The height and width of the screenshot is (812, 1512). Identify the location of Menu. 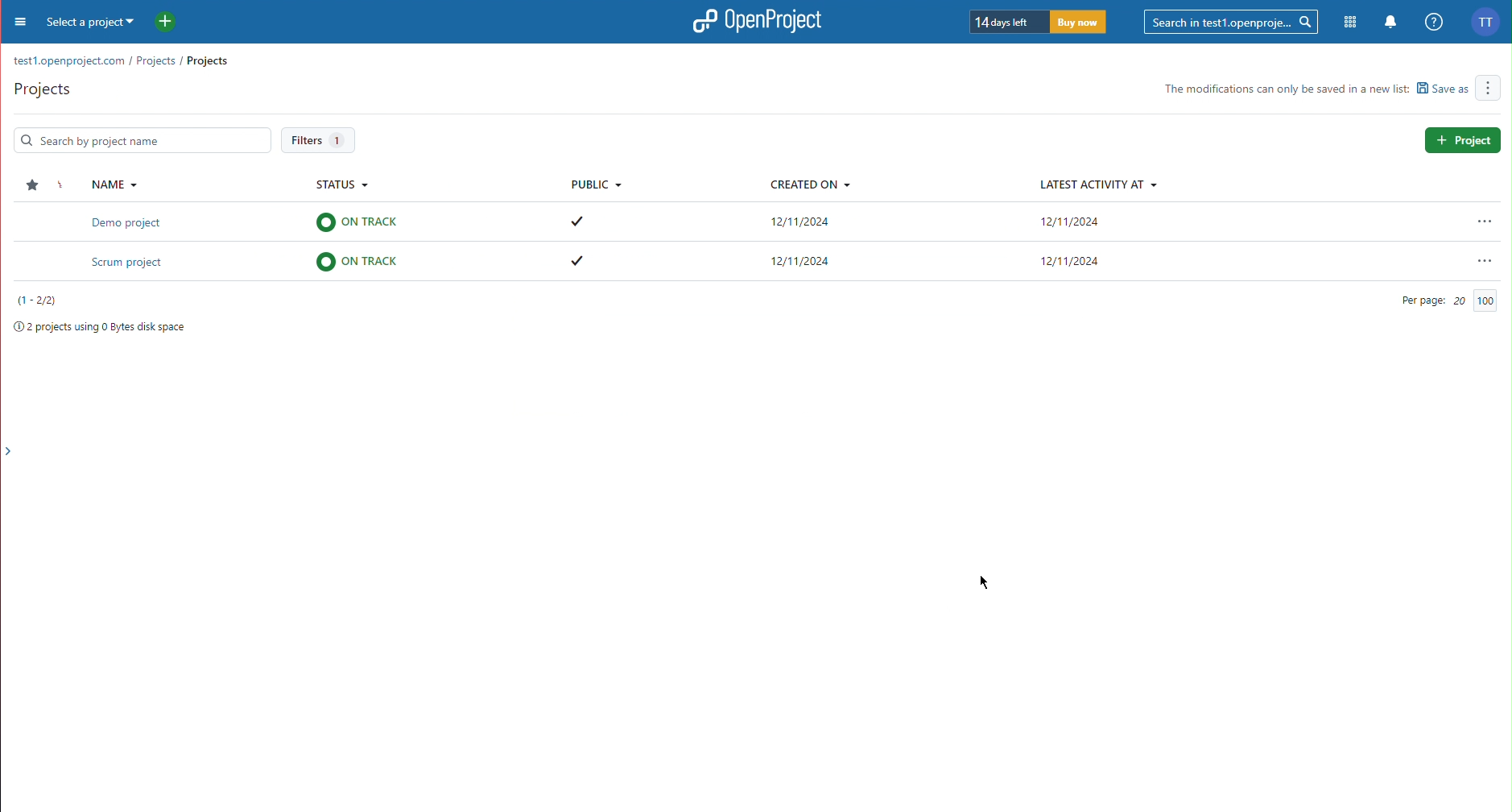
(16, 22).